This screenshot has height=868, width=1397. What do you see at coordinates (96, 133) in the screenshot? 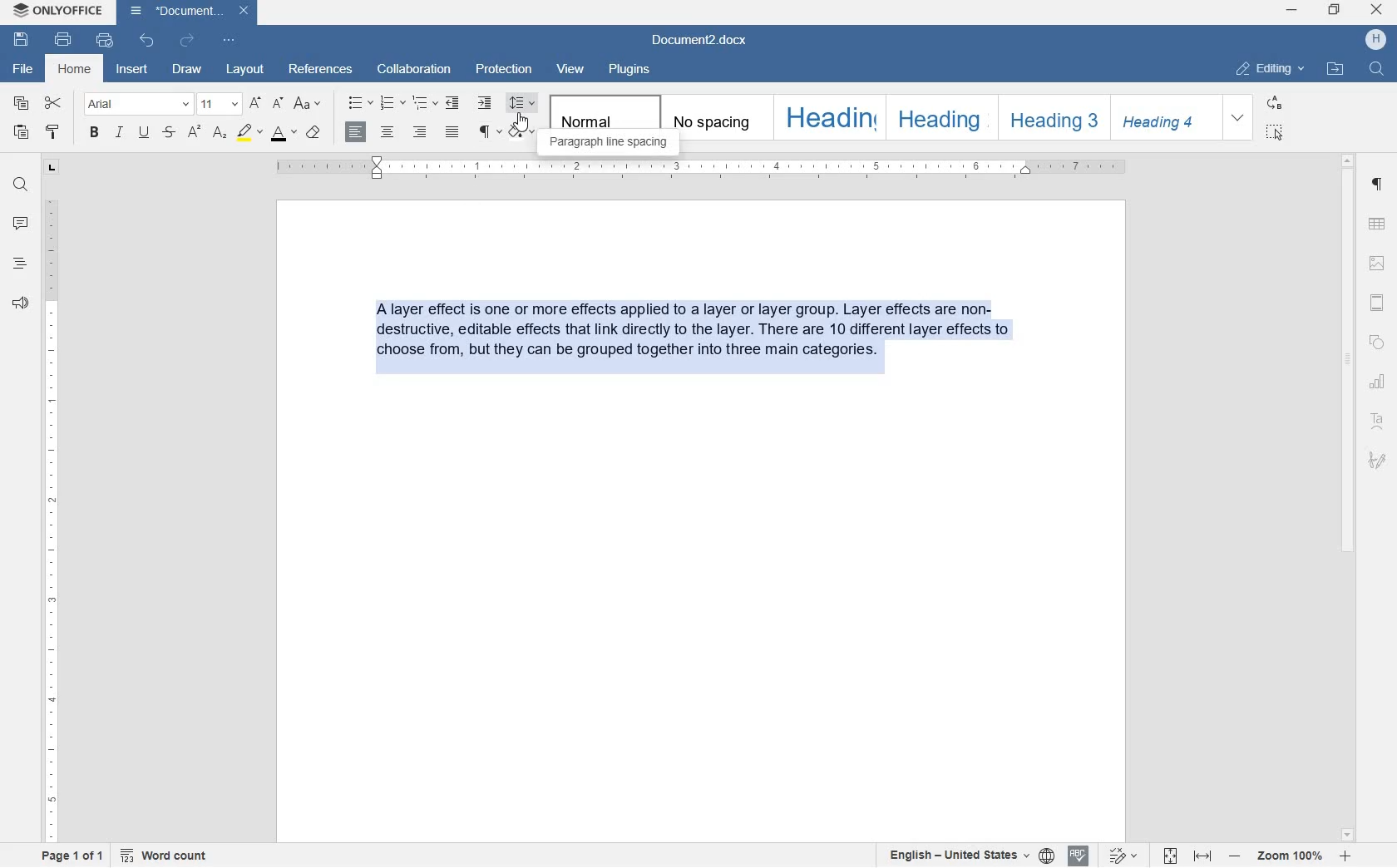
I see `bold` at bounding box center [96, 133].